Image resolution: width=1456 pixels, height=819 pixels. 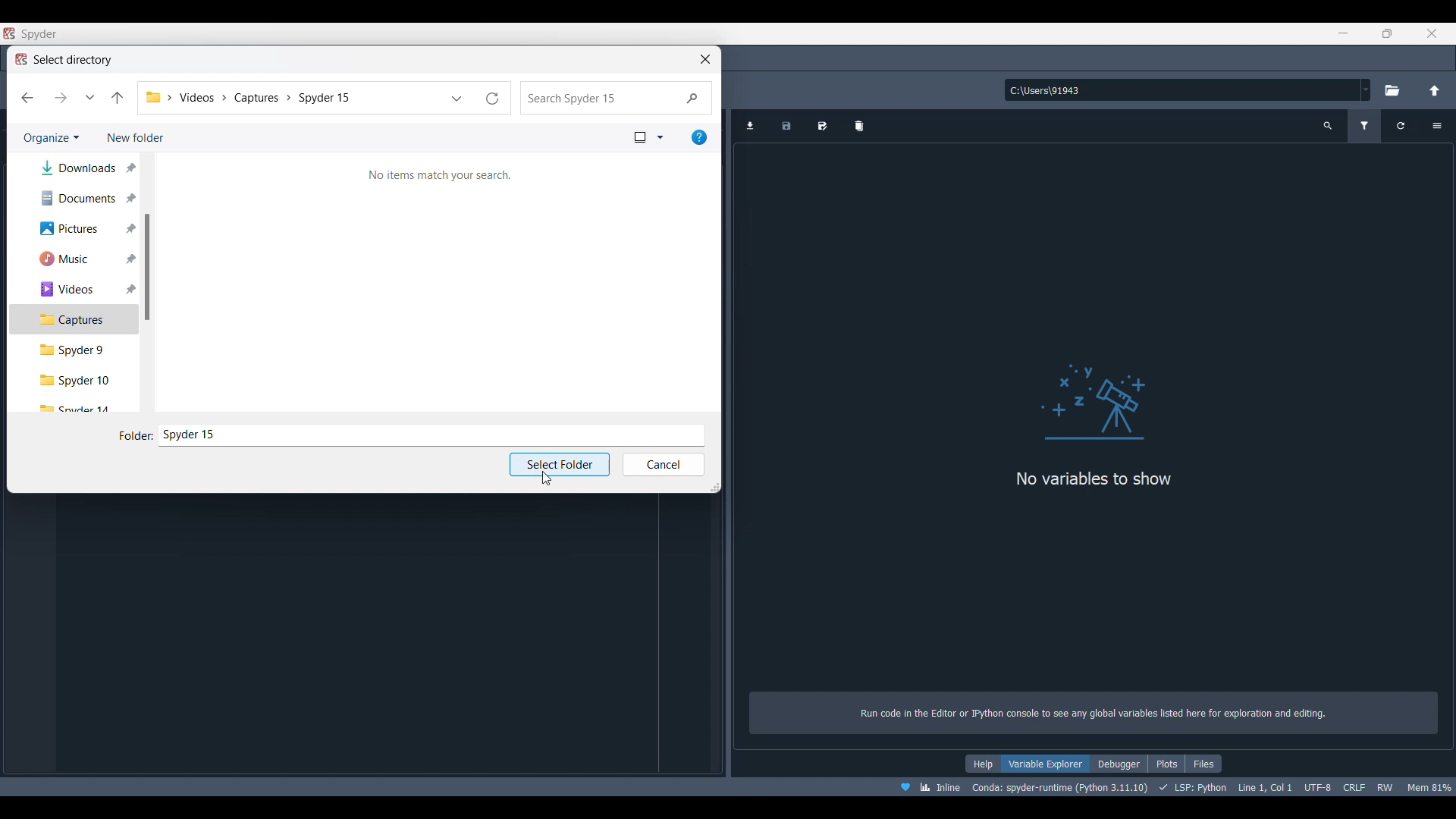 I want to click on Change dimension, so click(x=714, y=487).